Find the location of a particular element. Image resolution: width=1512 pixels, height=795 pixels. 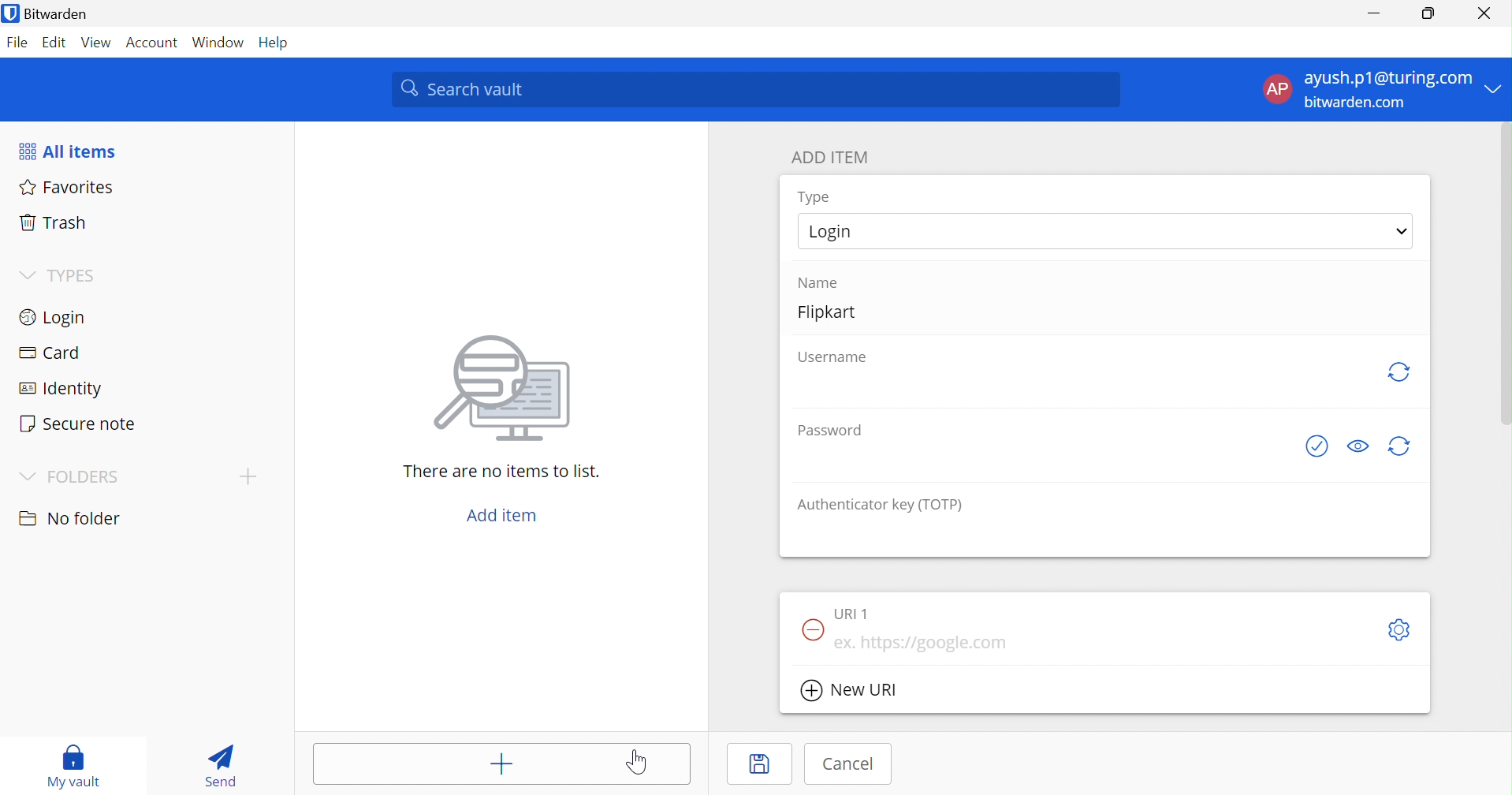

Toggleoptions is located at coordinates (1397, 629).